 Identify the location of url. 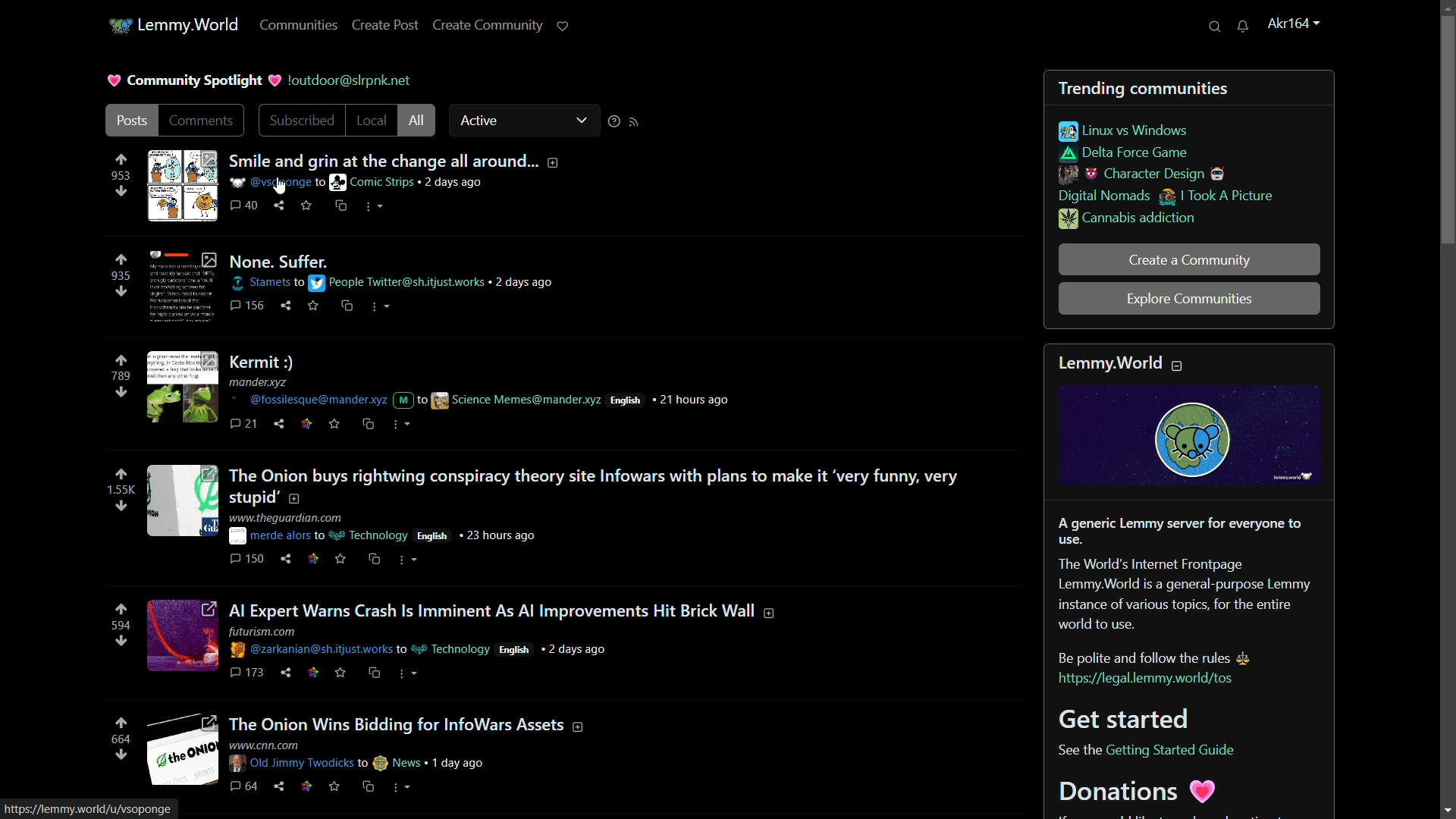
(93, 809).